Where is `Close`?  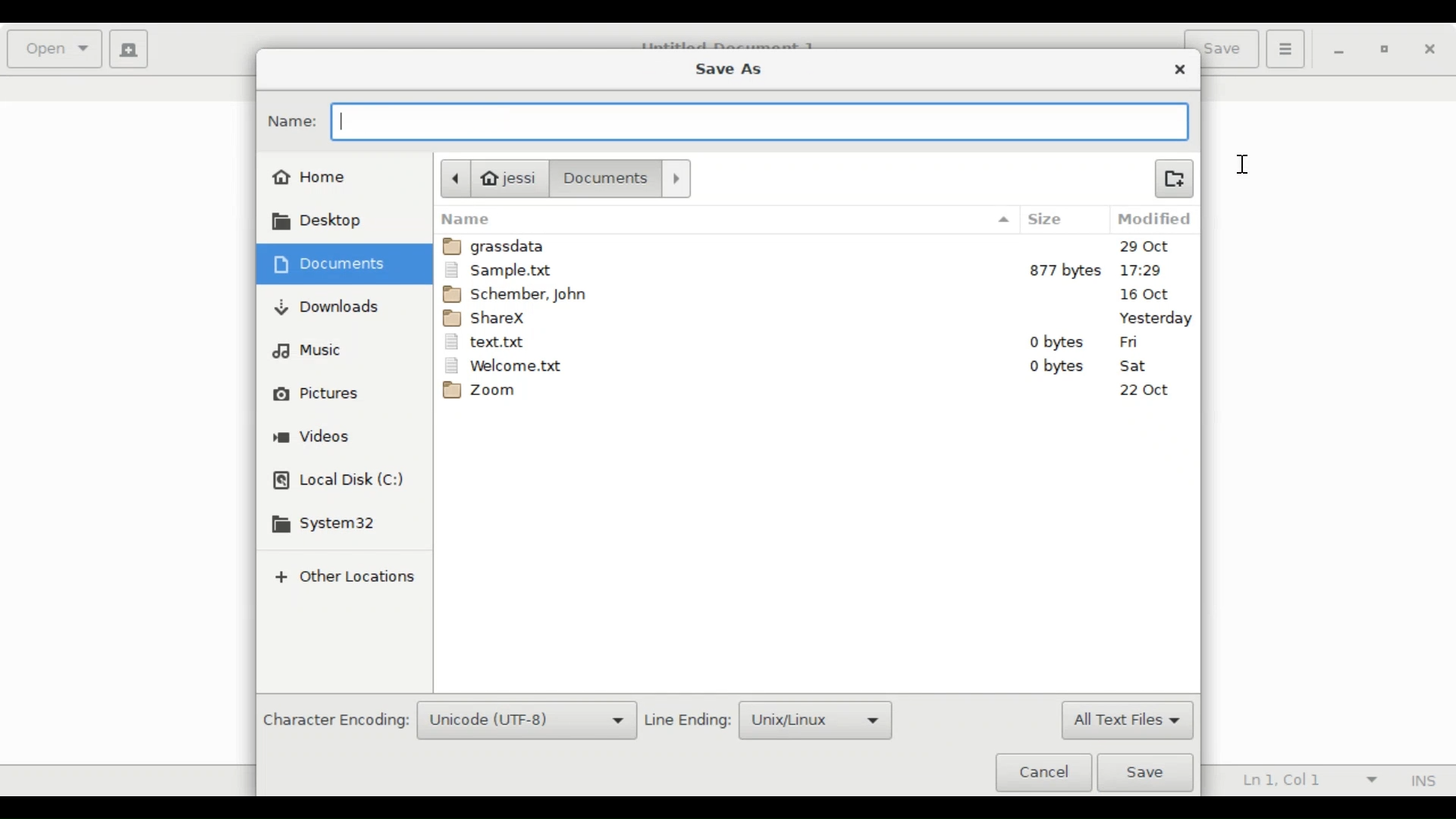
Close is located at coordinates (1181, 70).